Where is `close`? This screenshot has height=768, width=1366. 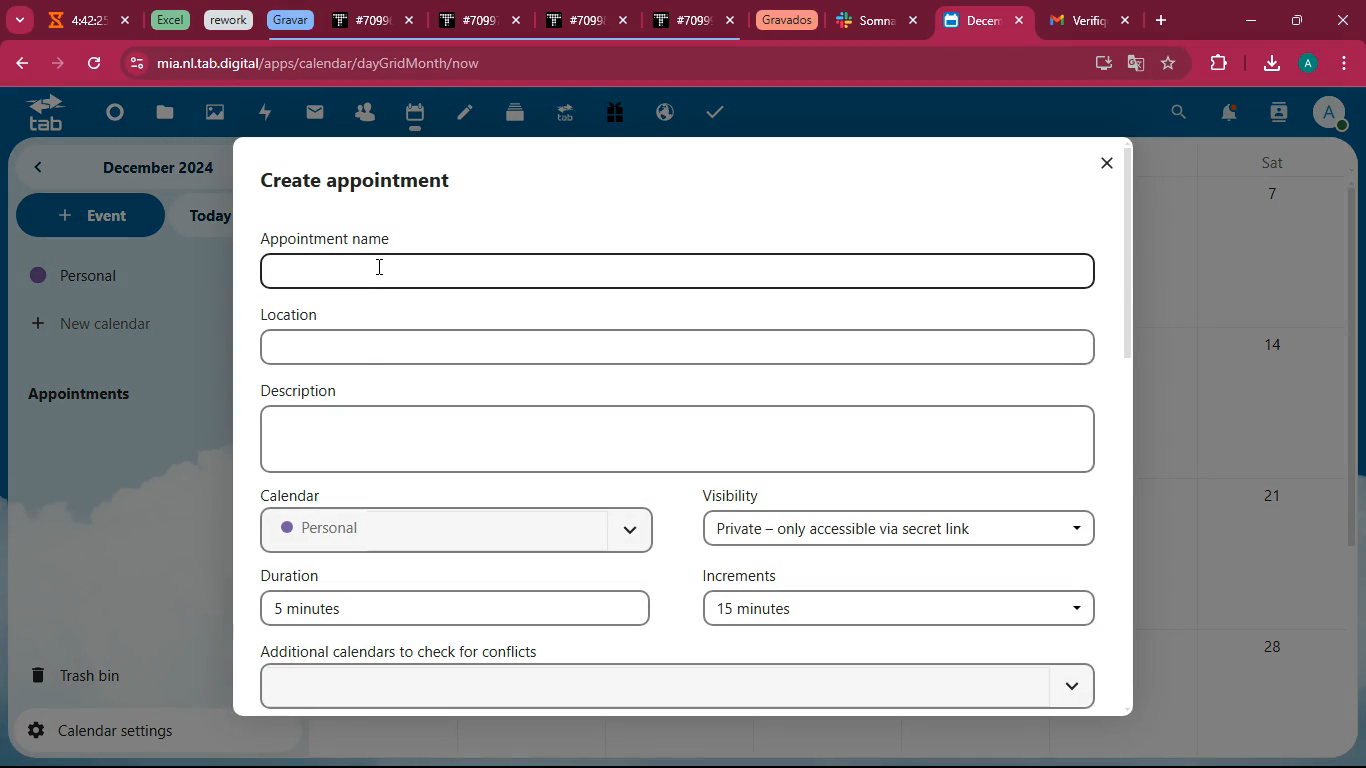
close is located at coordinates (1127, 21).